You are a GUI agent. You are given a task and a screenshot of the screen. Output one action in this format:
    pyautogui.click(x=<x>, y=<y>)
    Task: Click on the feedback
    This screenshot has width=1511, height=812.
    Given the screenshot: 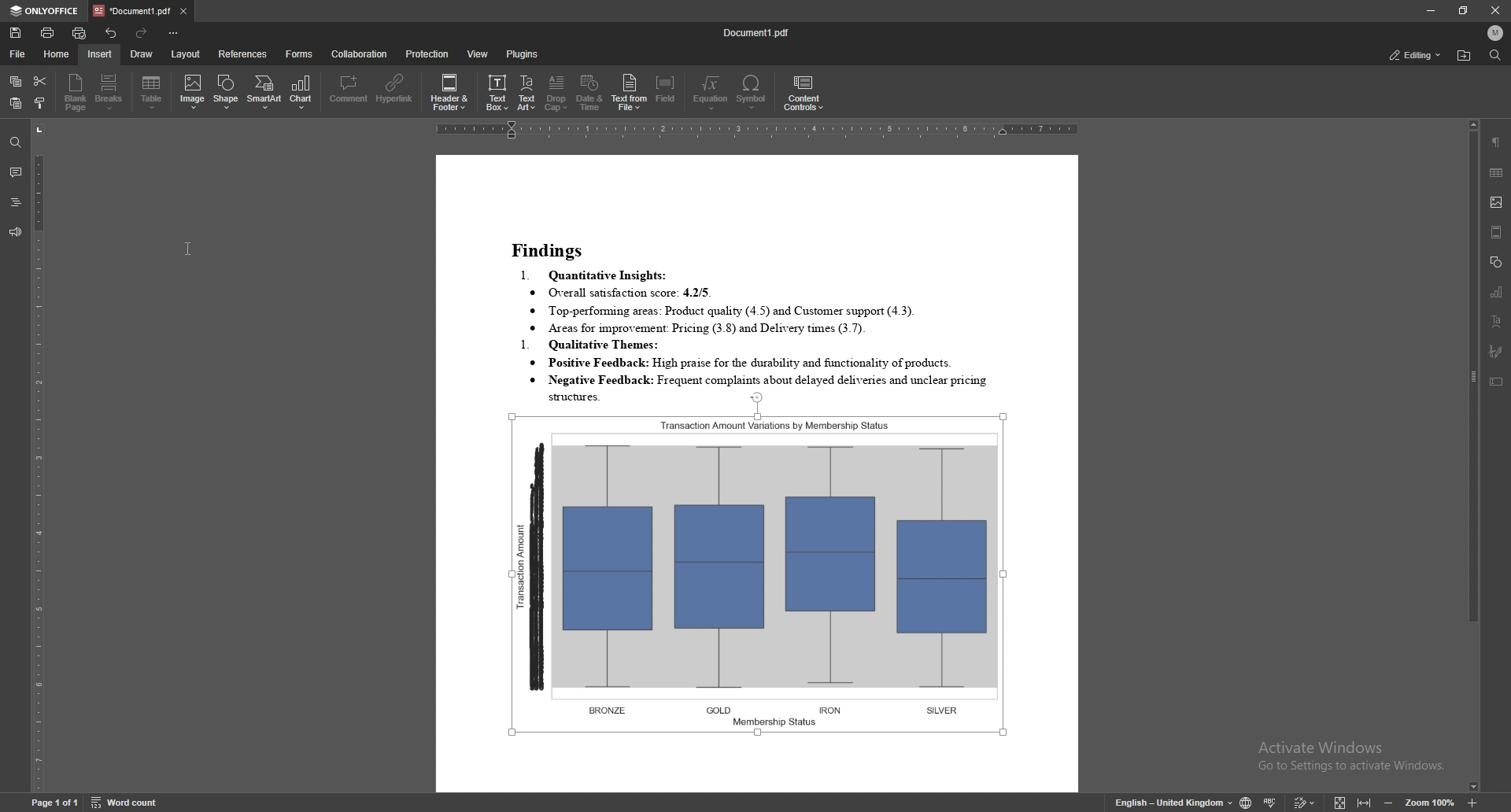 What is the action you would take?
    pyautogui.click(x=14, y=233)
    